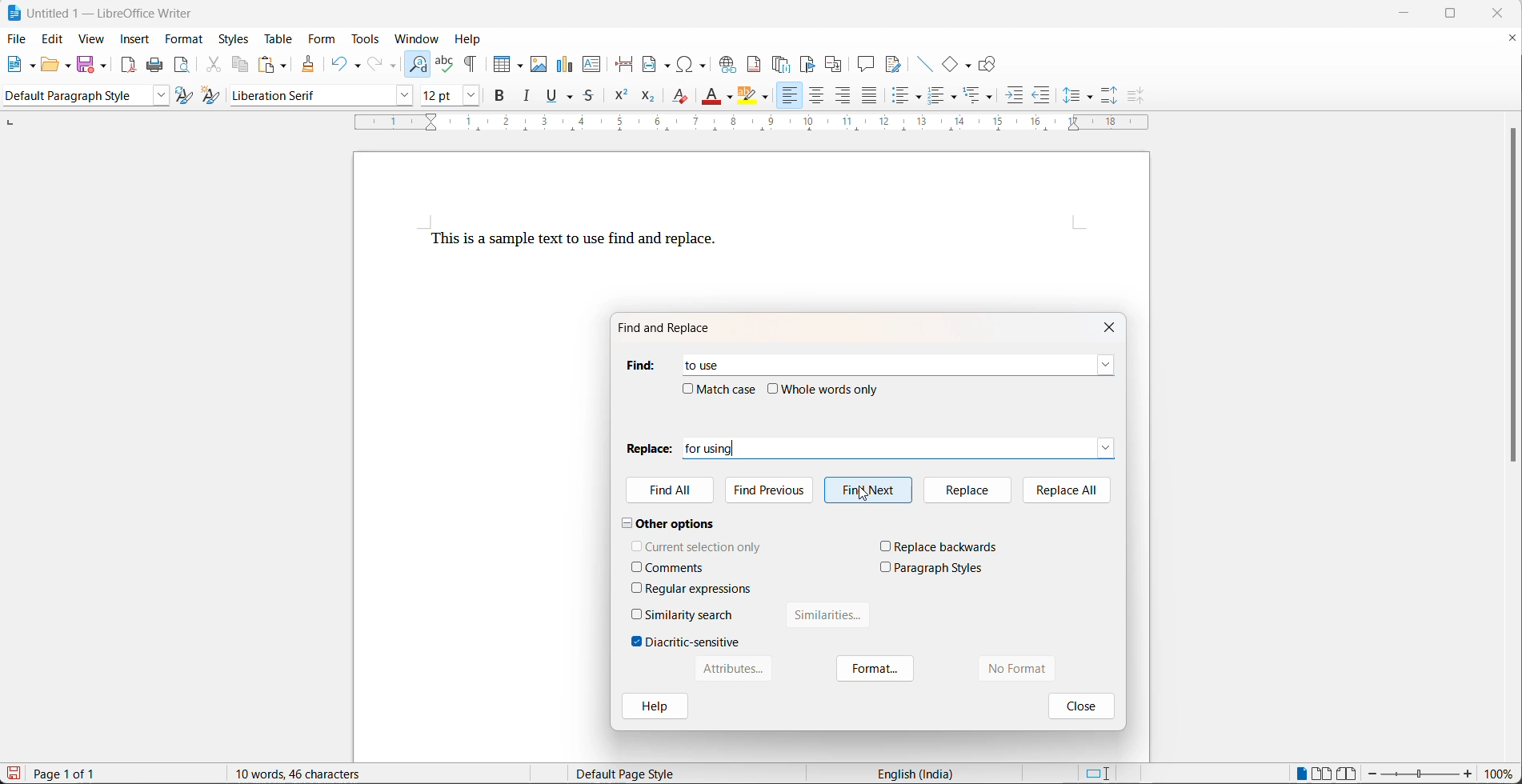  I want to click on find and replace dialog box title, so click(673, 328).